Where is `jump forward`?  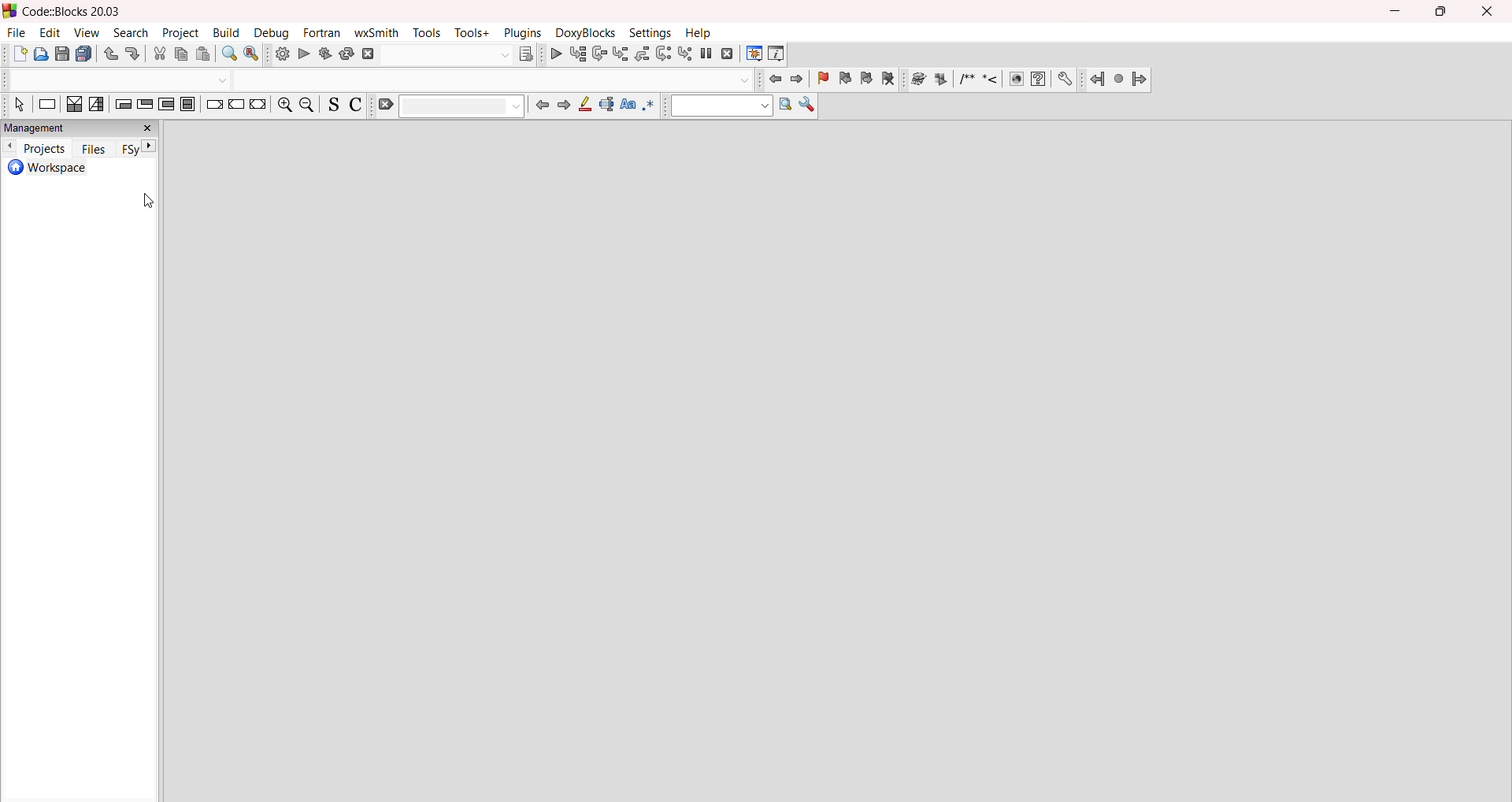 jump forward is located at coordinates (566, 107).